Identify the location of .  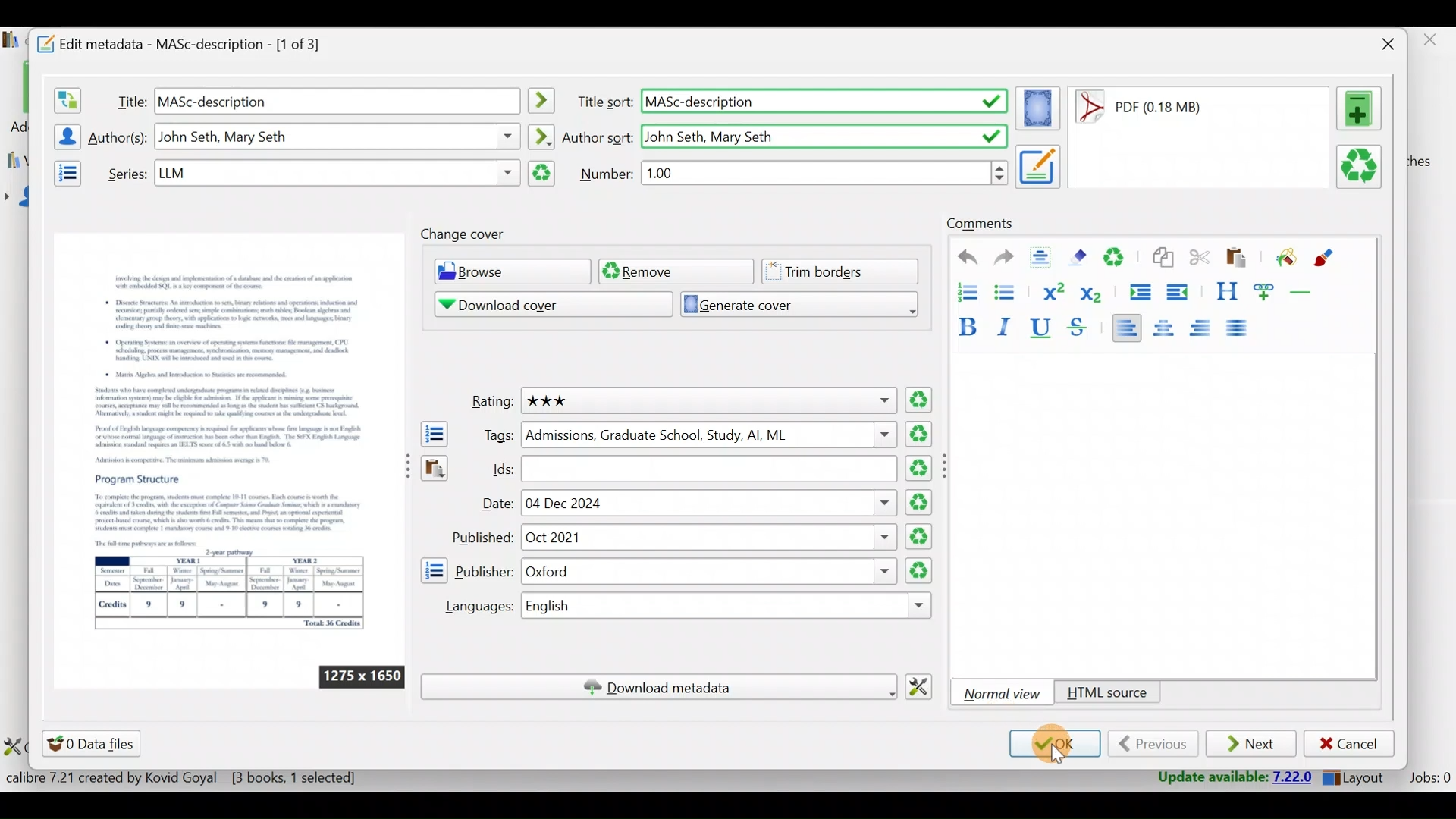
(708, 538).